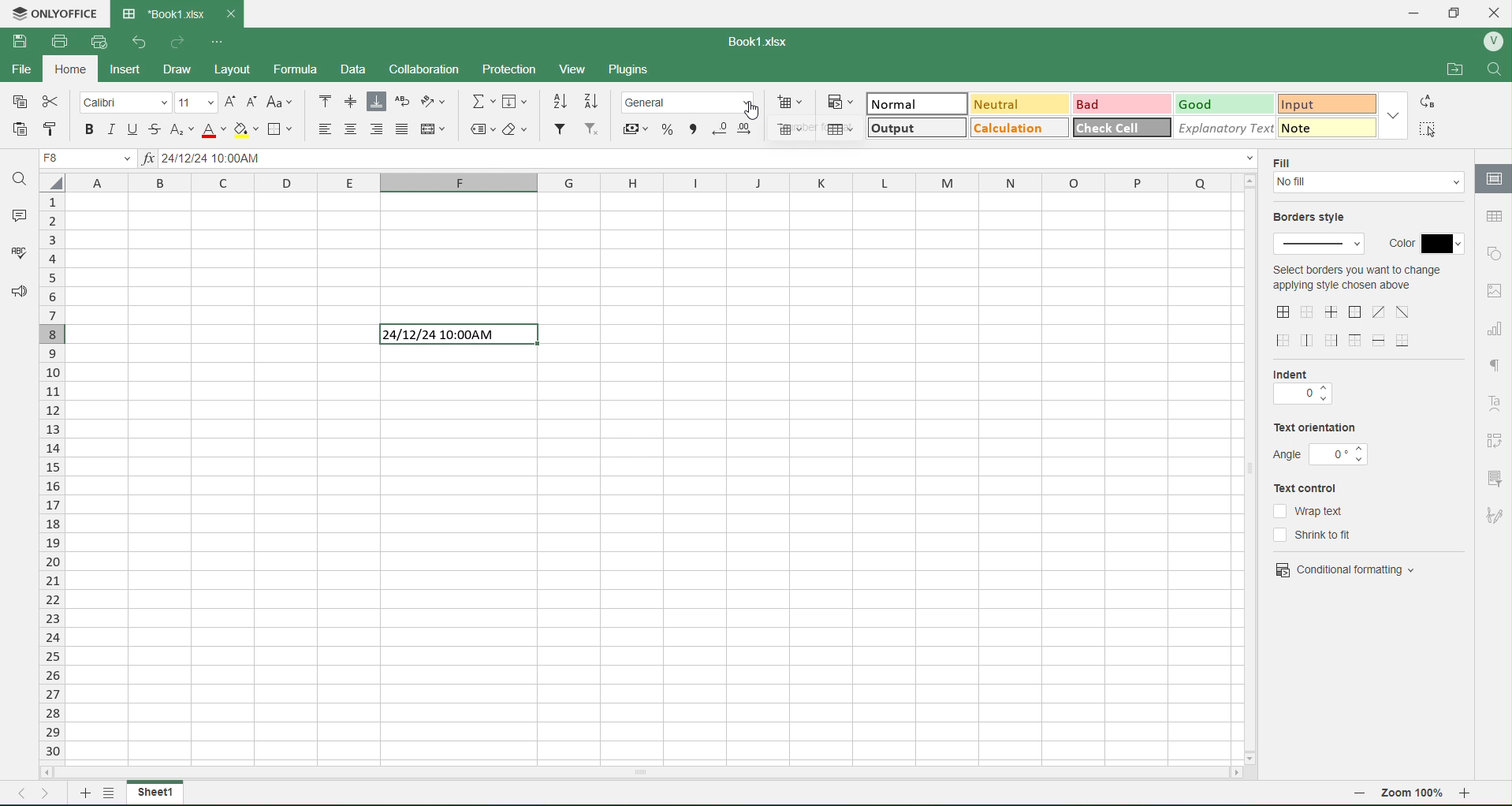  I want to click on Subscript/Superscript, so click(181, 129).